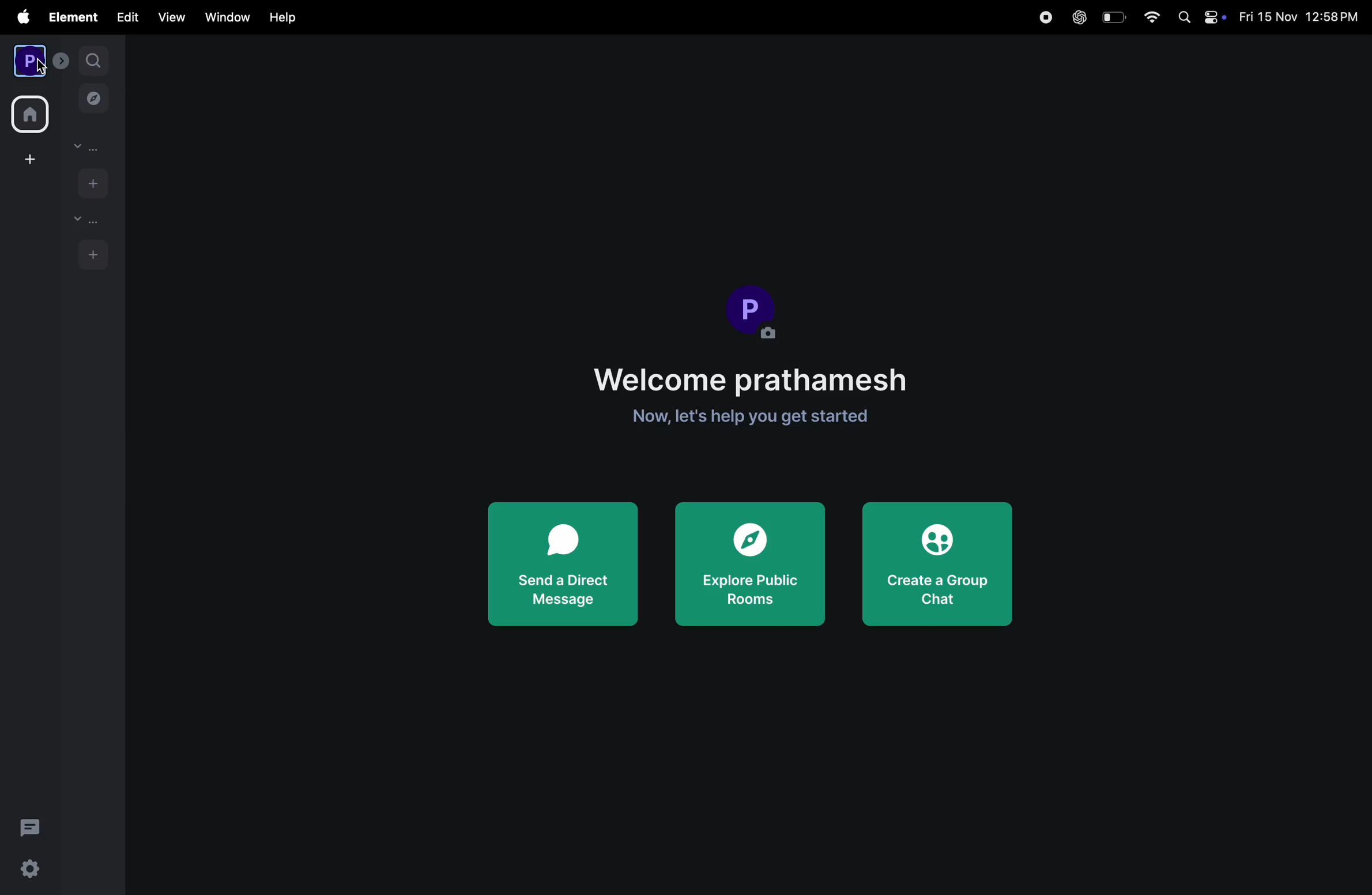 The width and height of the screenshot is (1372, 895). I want to click on search1, so click(95, 59).